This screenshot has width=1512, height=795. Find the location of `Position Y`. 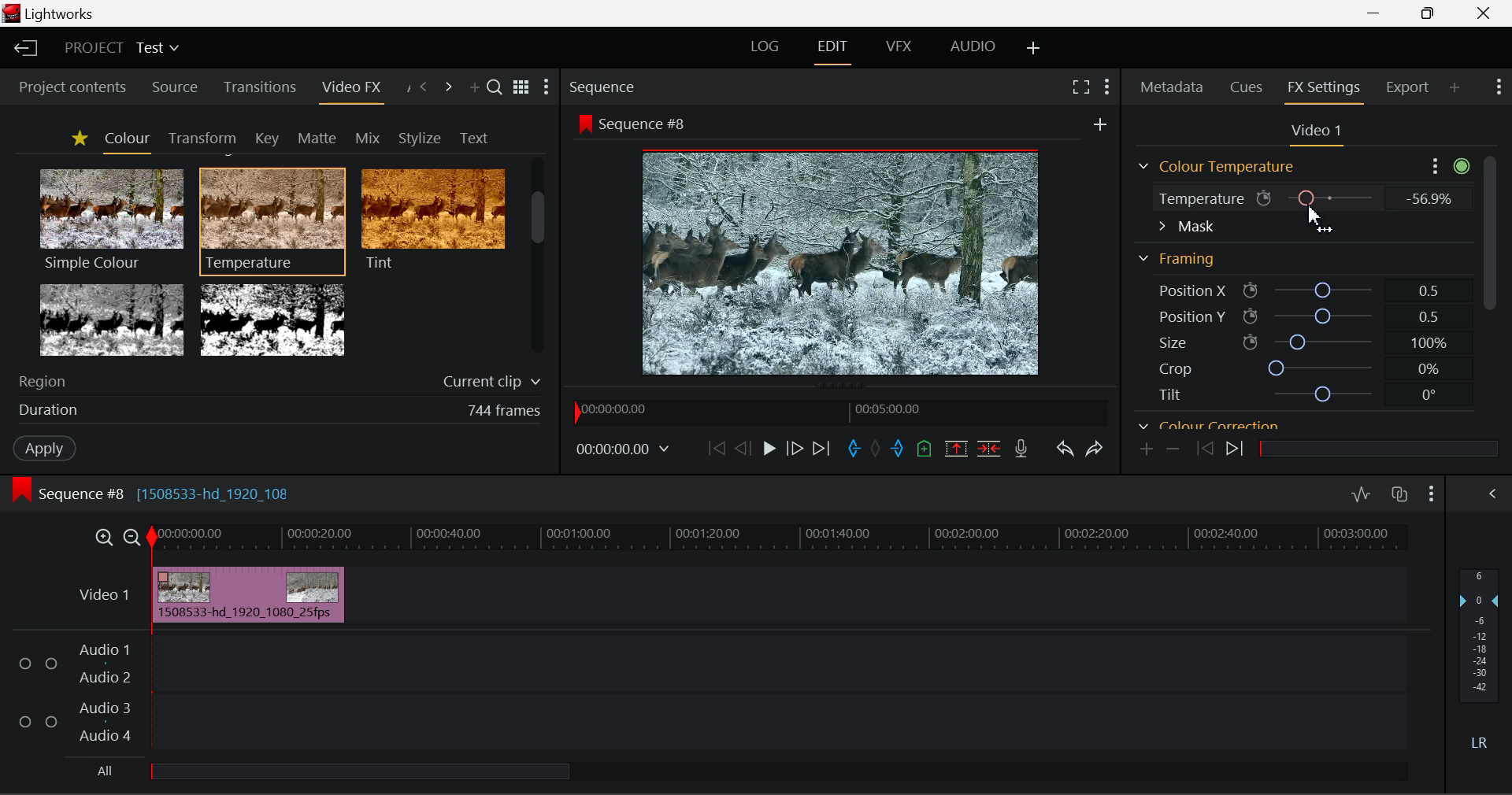

Position Y is located at coordinates (1183, 316).